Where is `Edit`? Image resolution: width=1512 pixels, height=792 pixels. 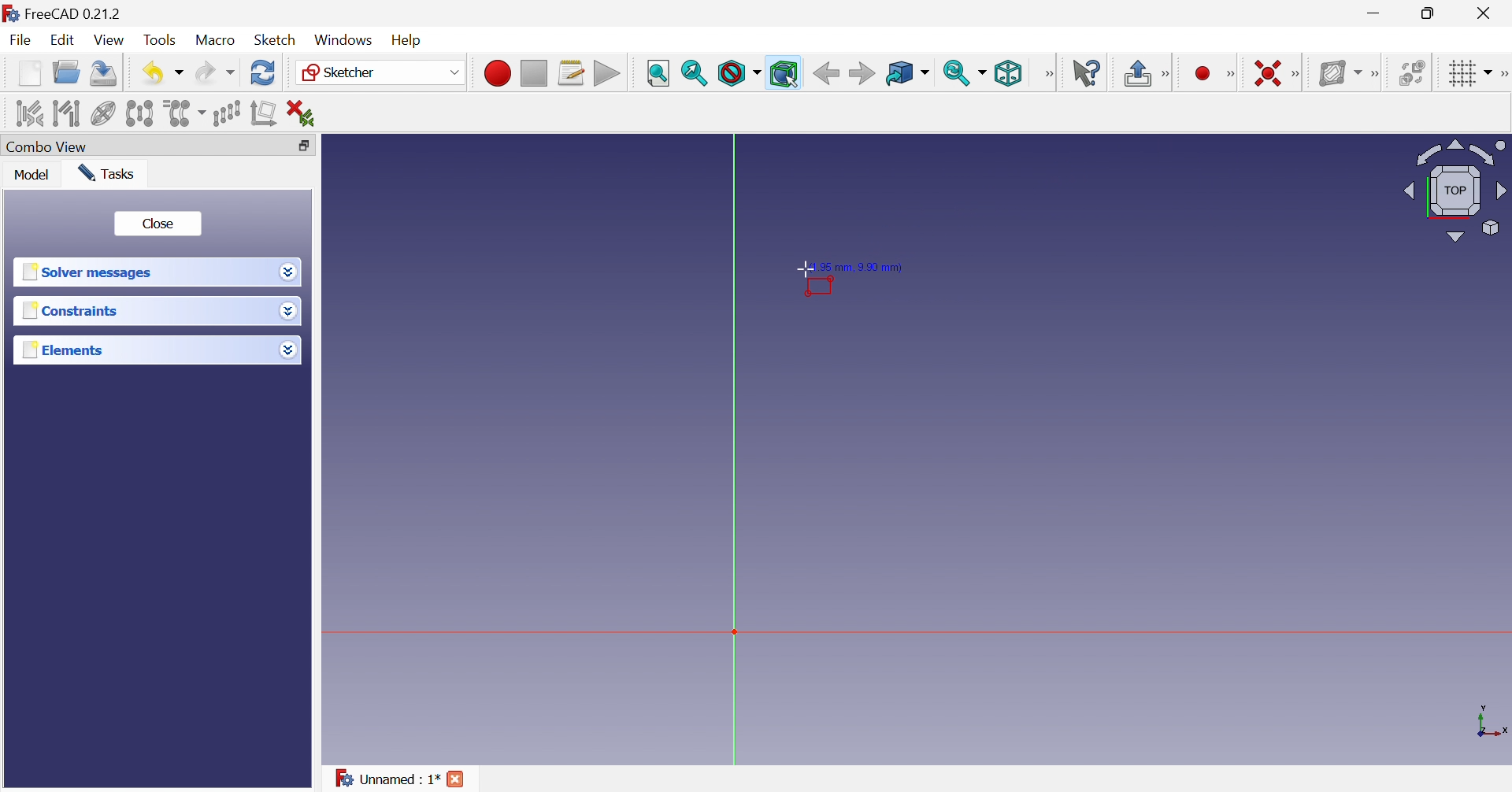
Edit is located at coordinates (62, 41).